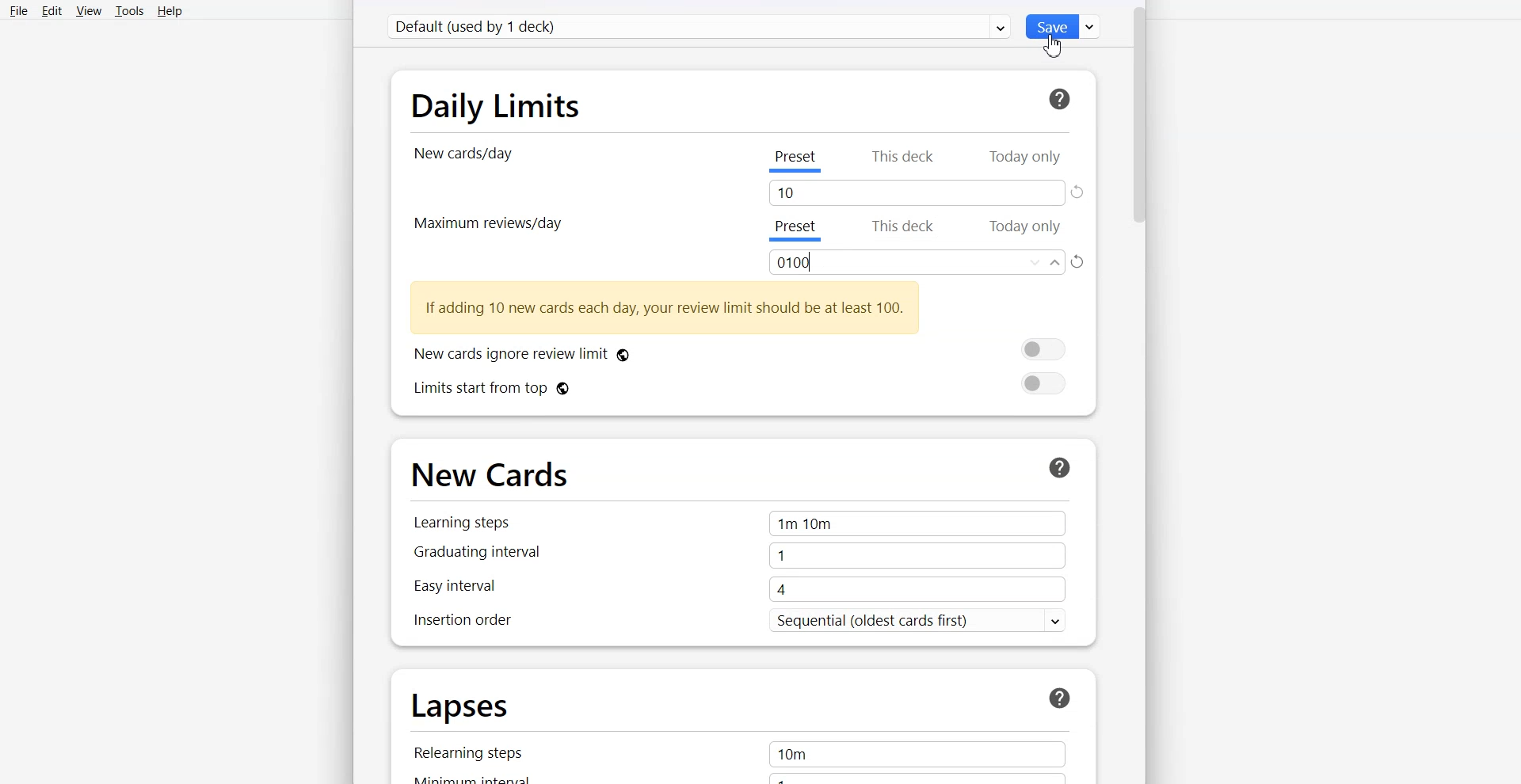 The width and height of the screenshot is (1521, 784). Describe the element at coordinates (665, 308) in the screenshot. I see `Text` at that location.